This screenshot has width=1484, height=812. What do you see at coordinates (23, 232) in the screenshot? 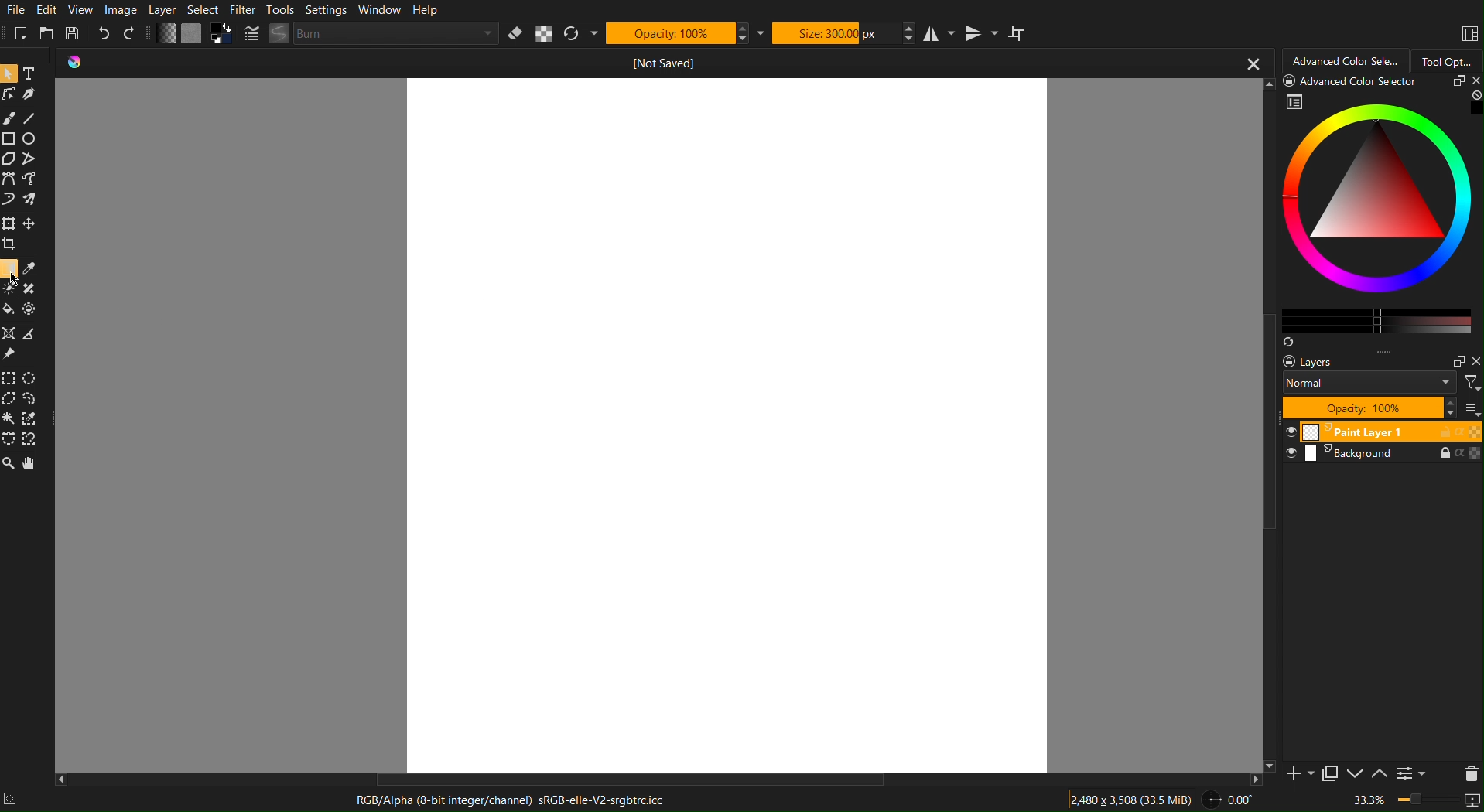
I see `Move Tools` at bounding box center [23, 232].